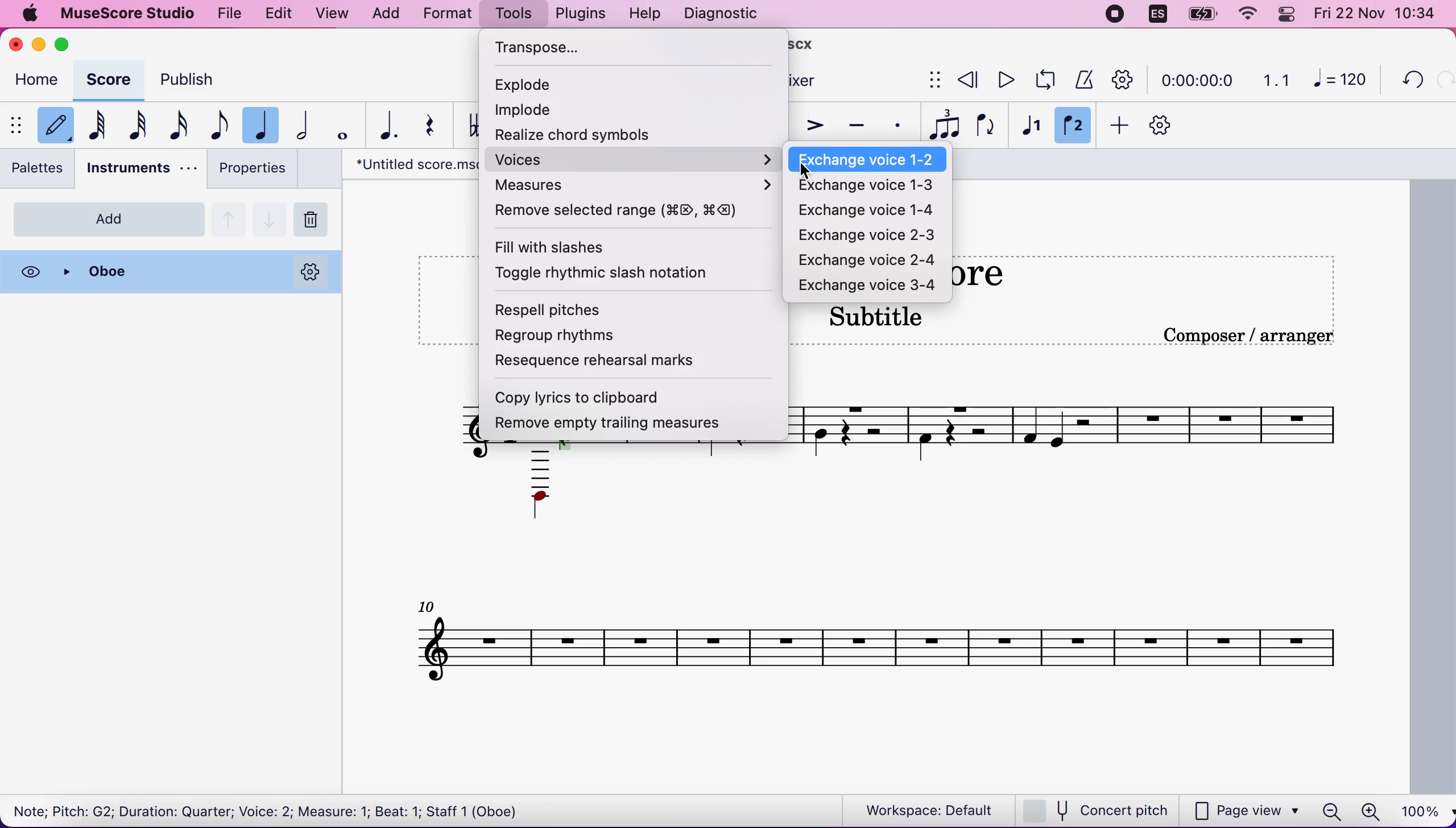 Image resolution: width=1456 pixels, height=828 pixels. I want to click on publish, so click(194, 79).